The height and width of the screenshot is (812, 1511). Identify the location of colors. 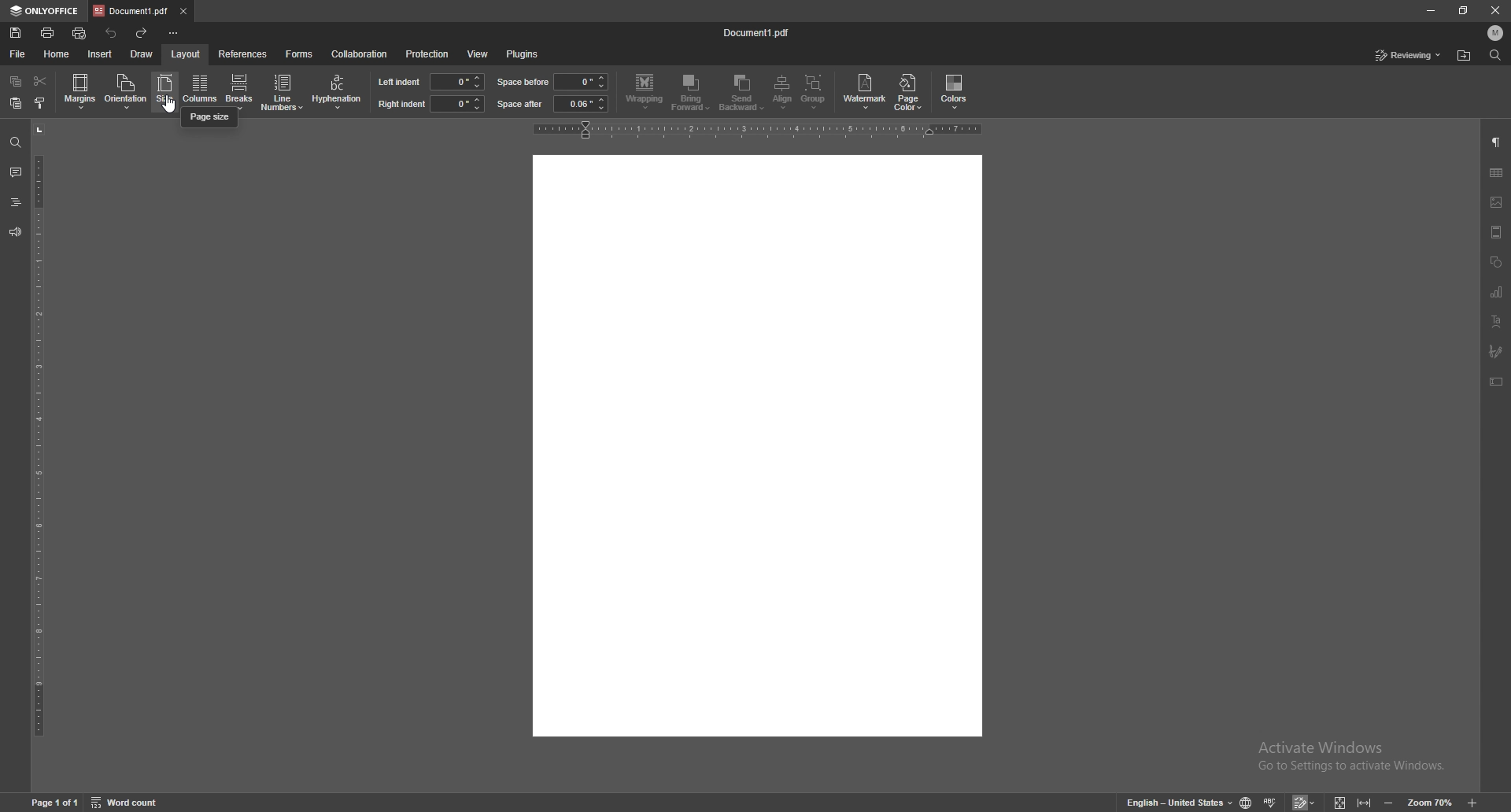
(955, 92).